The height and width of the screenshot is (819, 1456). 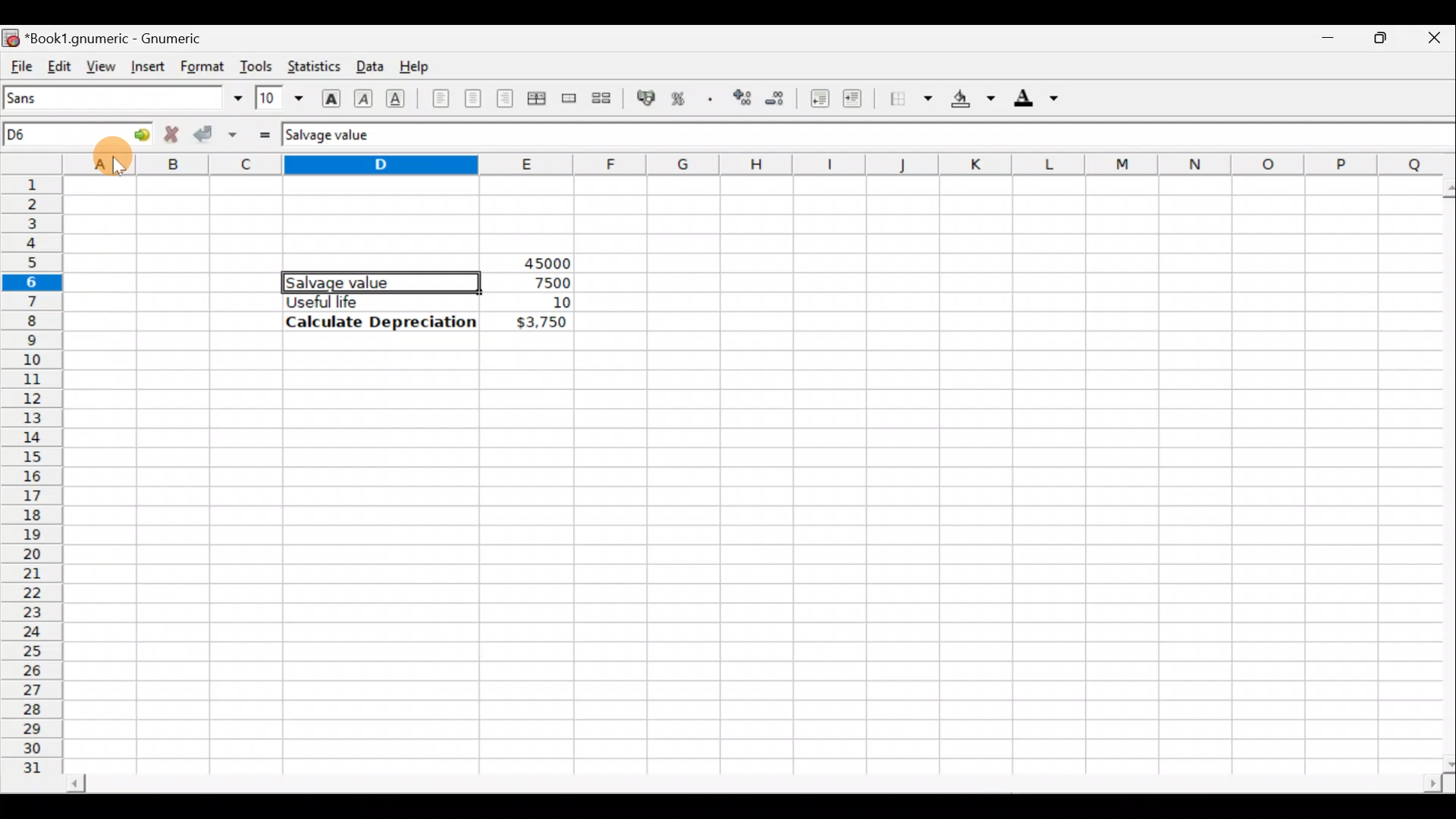 I want to click on Font name - Sans, so click(x=120, y=99).